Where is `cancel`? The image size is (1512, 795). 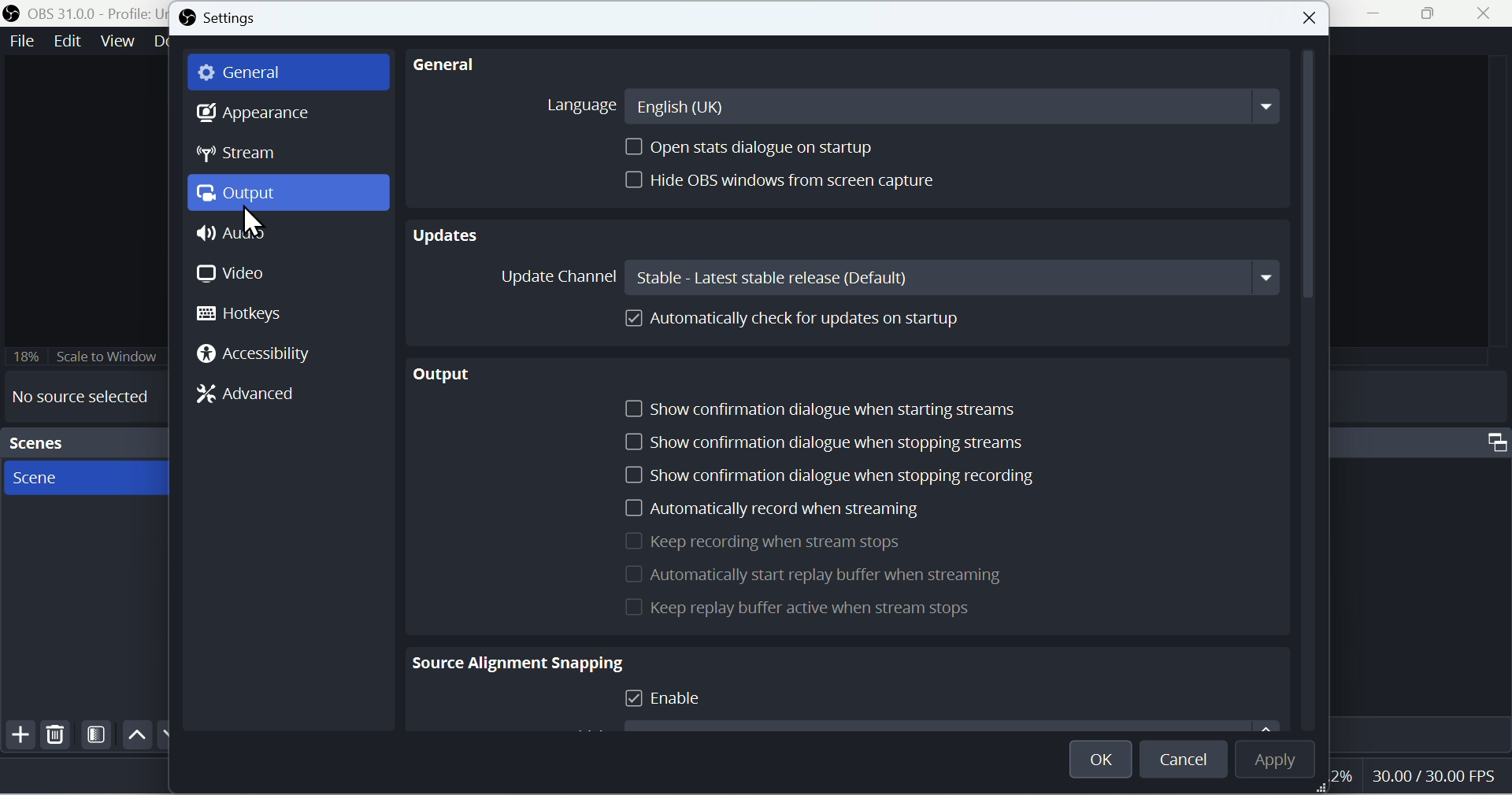 cancel is located at coordinates (1186, 758).